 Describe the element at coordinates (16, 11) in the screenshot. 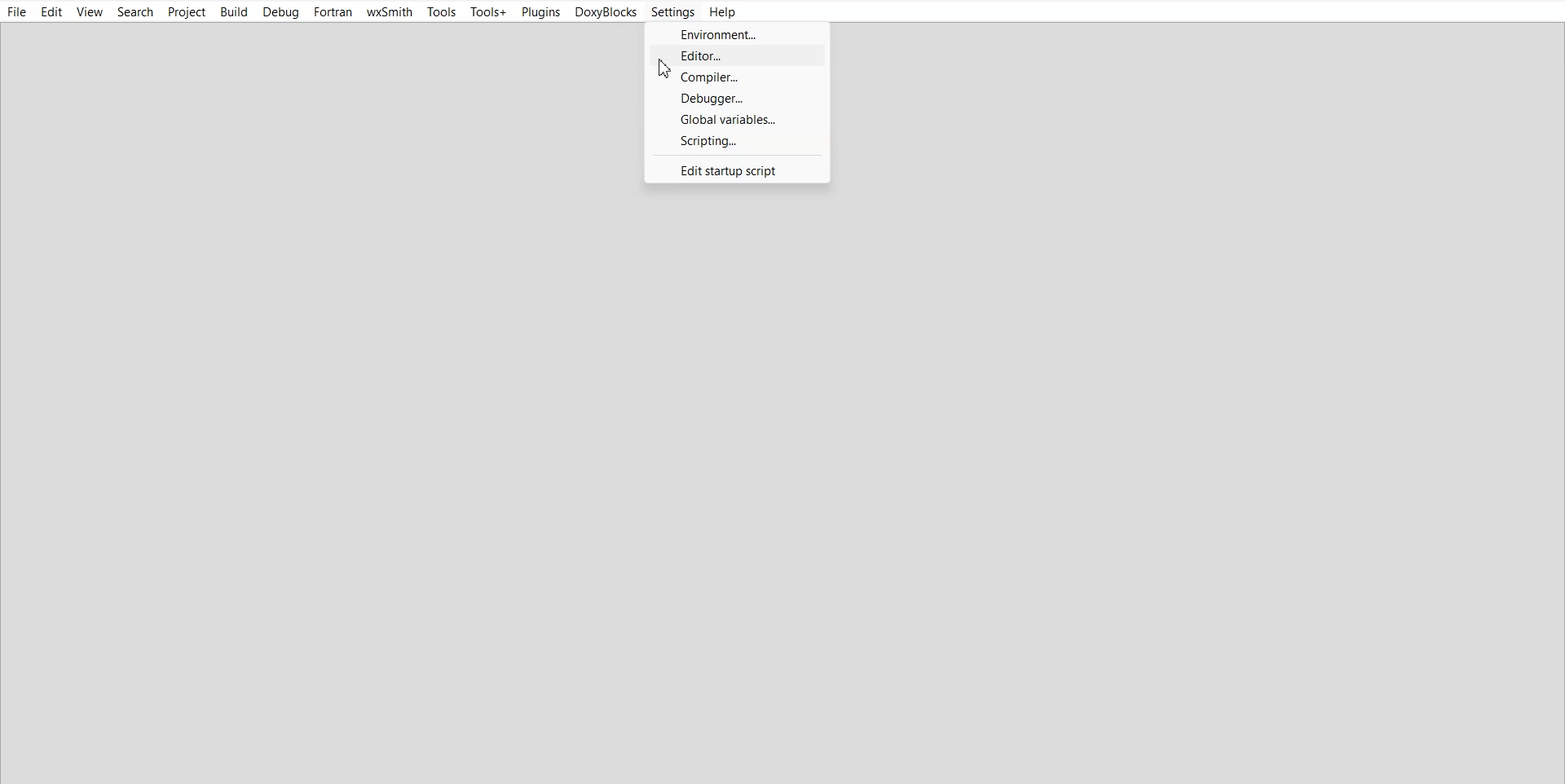

I see `File` at that location.